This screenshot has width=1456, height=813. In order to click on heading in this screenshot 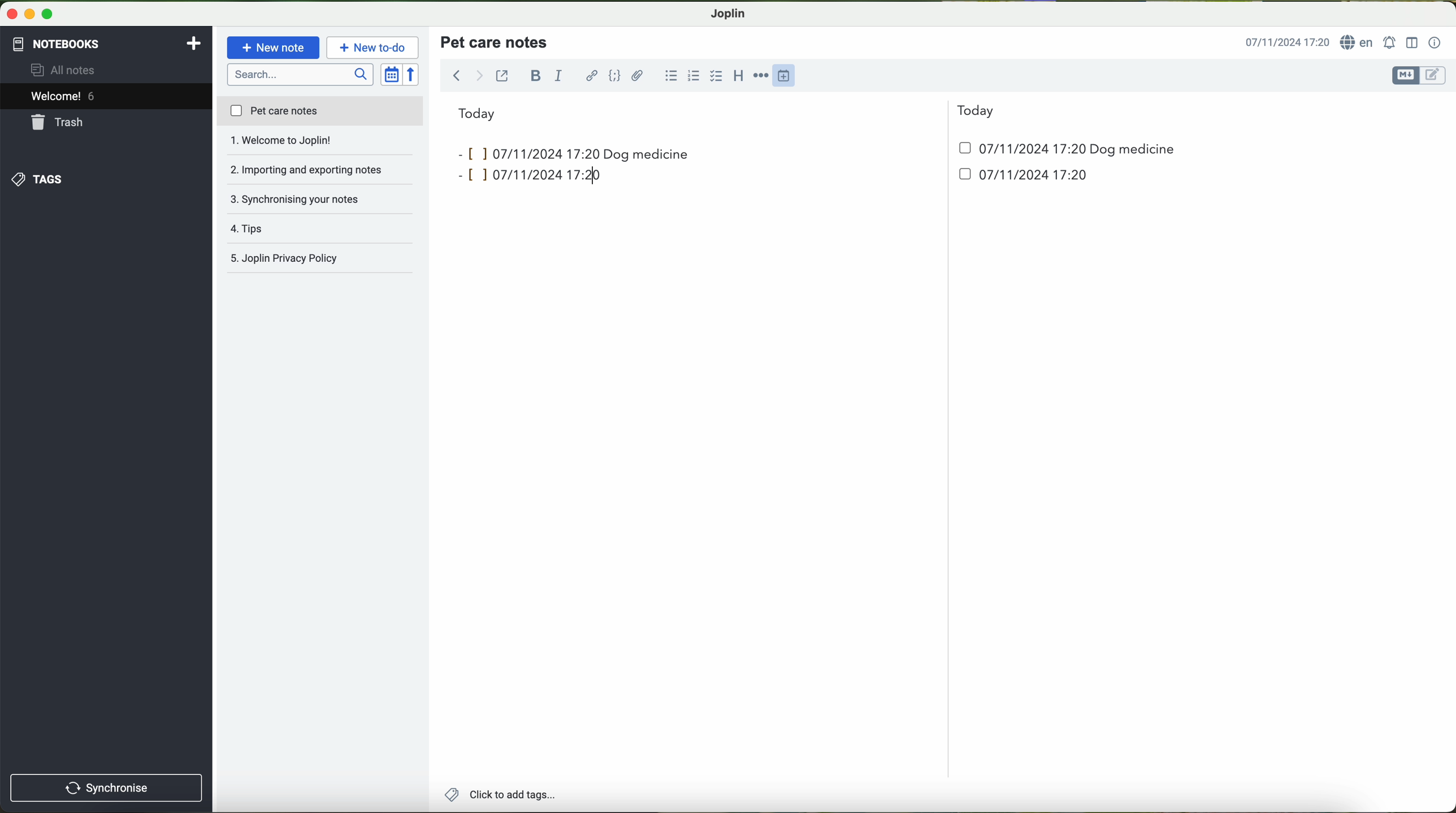, I will do `click(739, 75)`.